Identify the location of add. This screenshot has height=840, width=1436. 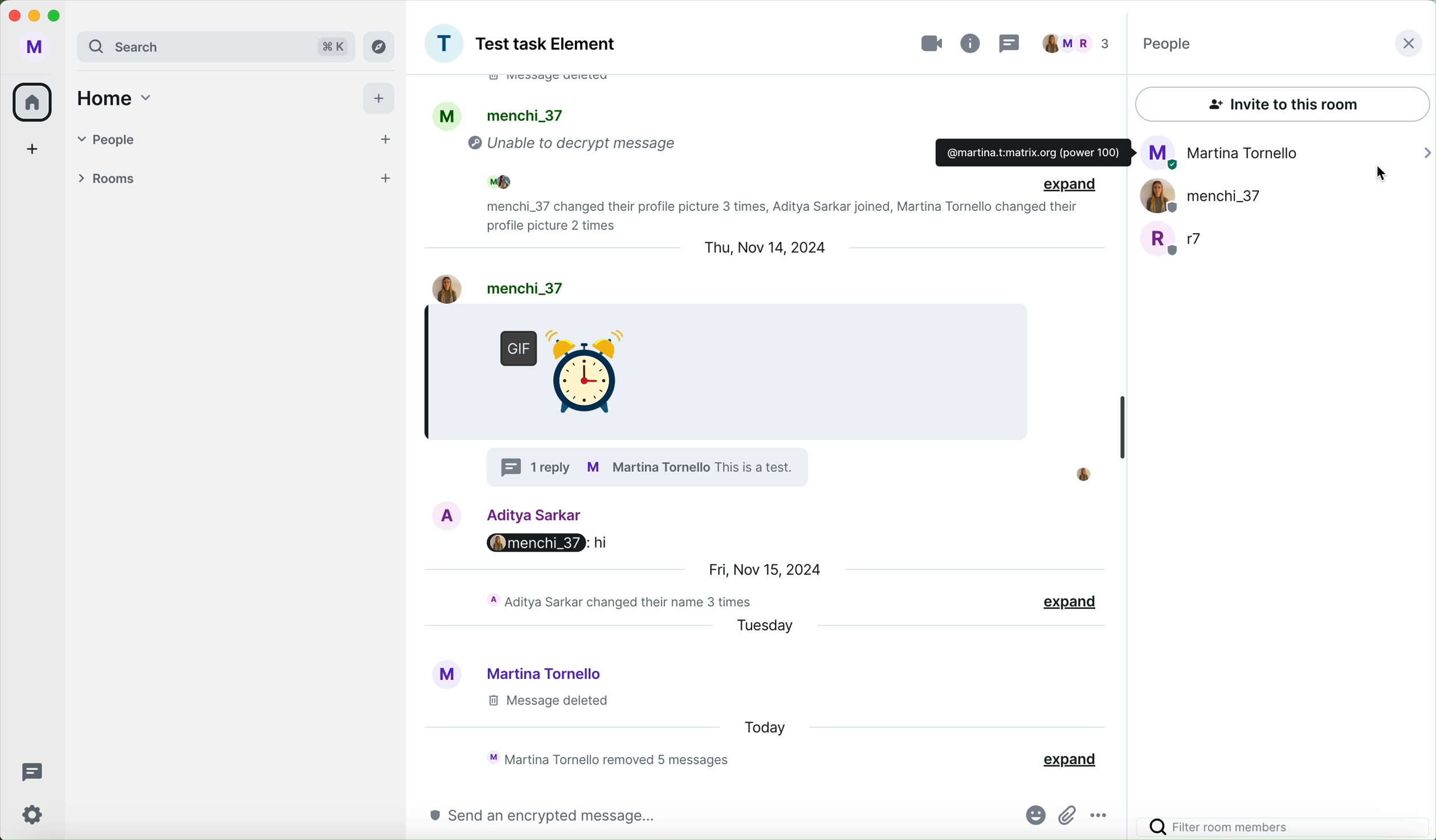
(382, 140).